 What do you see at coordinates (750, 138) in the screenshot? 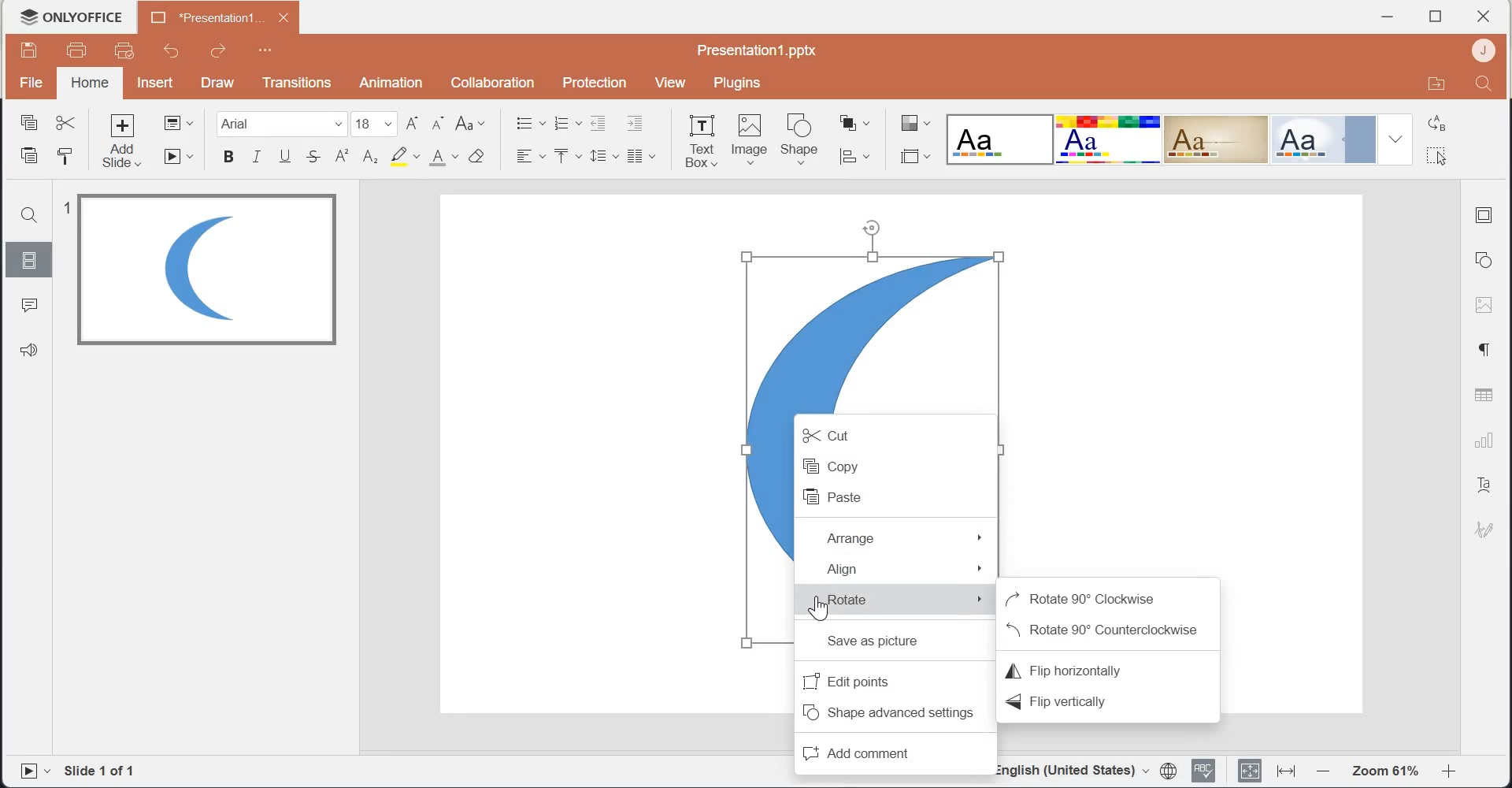
I see `Image` at bounding box center [750, 138].